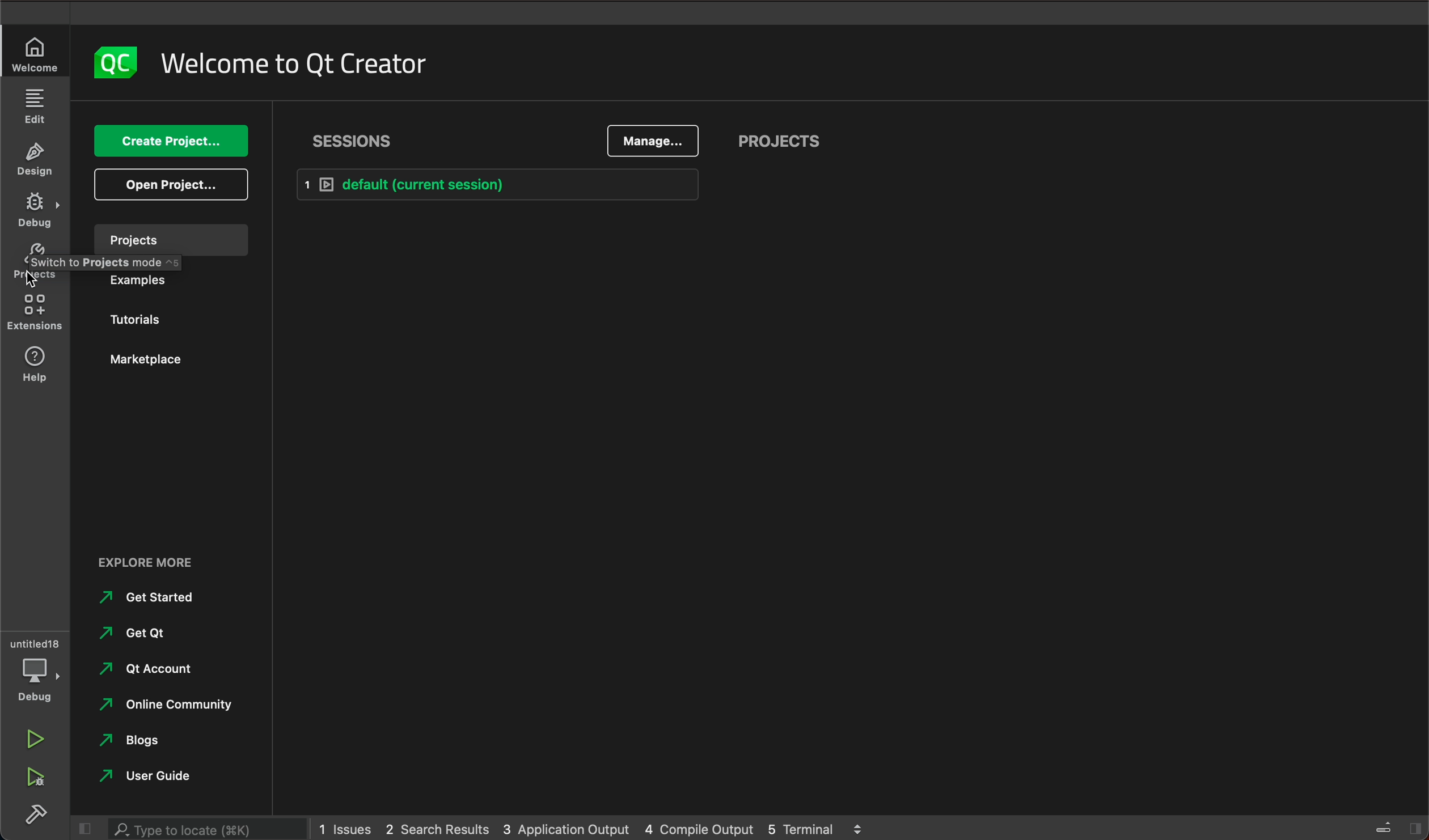 This screenshot has width=1429, height=840. Describe the element at coordinates (175, 138) in the screenshot. I see `create project` at that location.